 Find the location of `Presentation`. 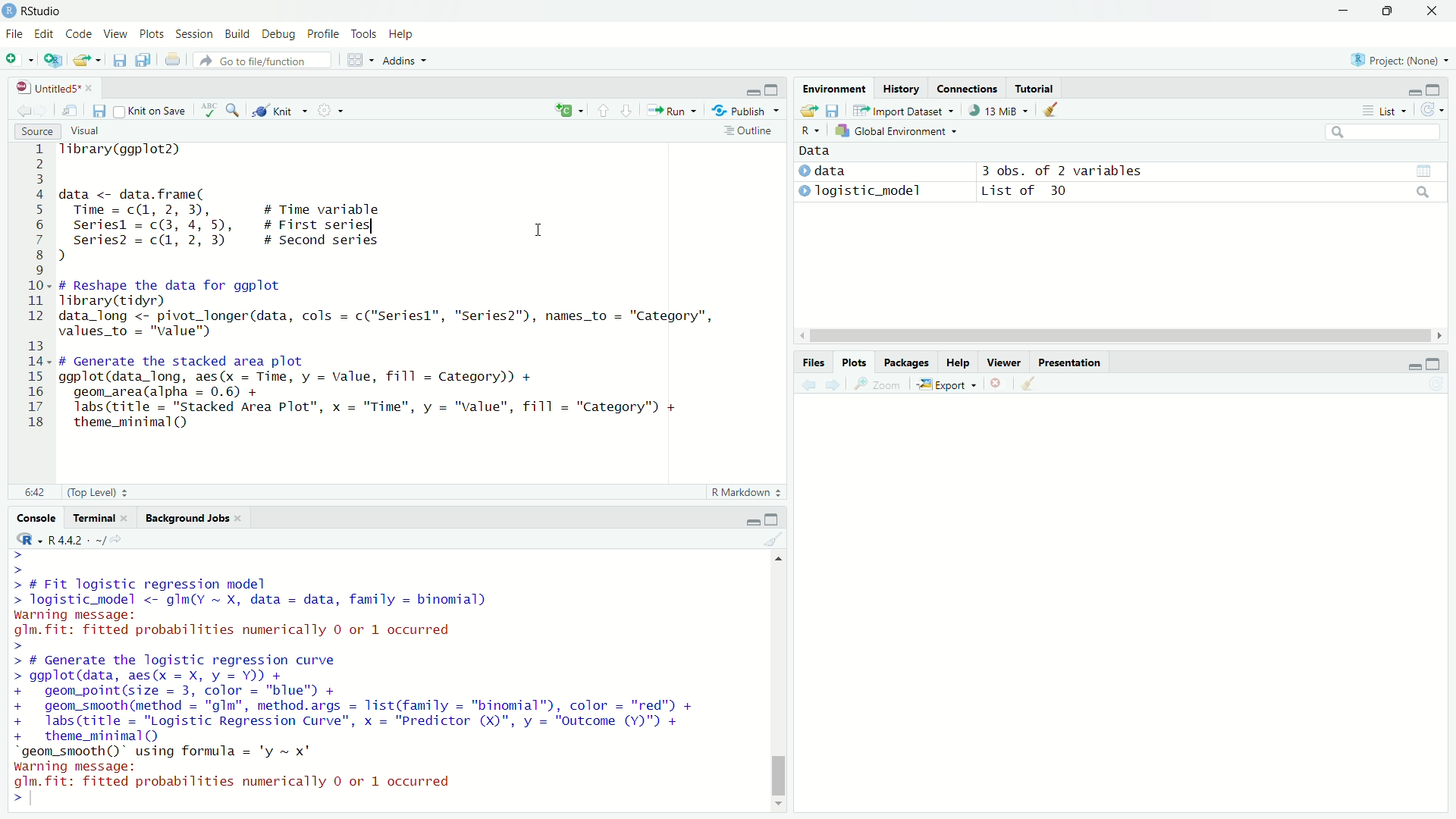

Presentation is located at coordinates (1072, 362).